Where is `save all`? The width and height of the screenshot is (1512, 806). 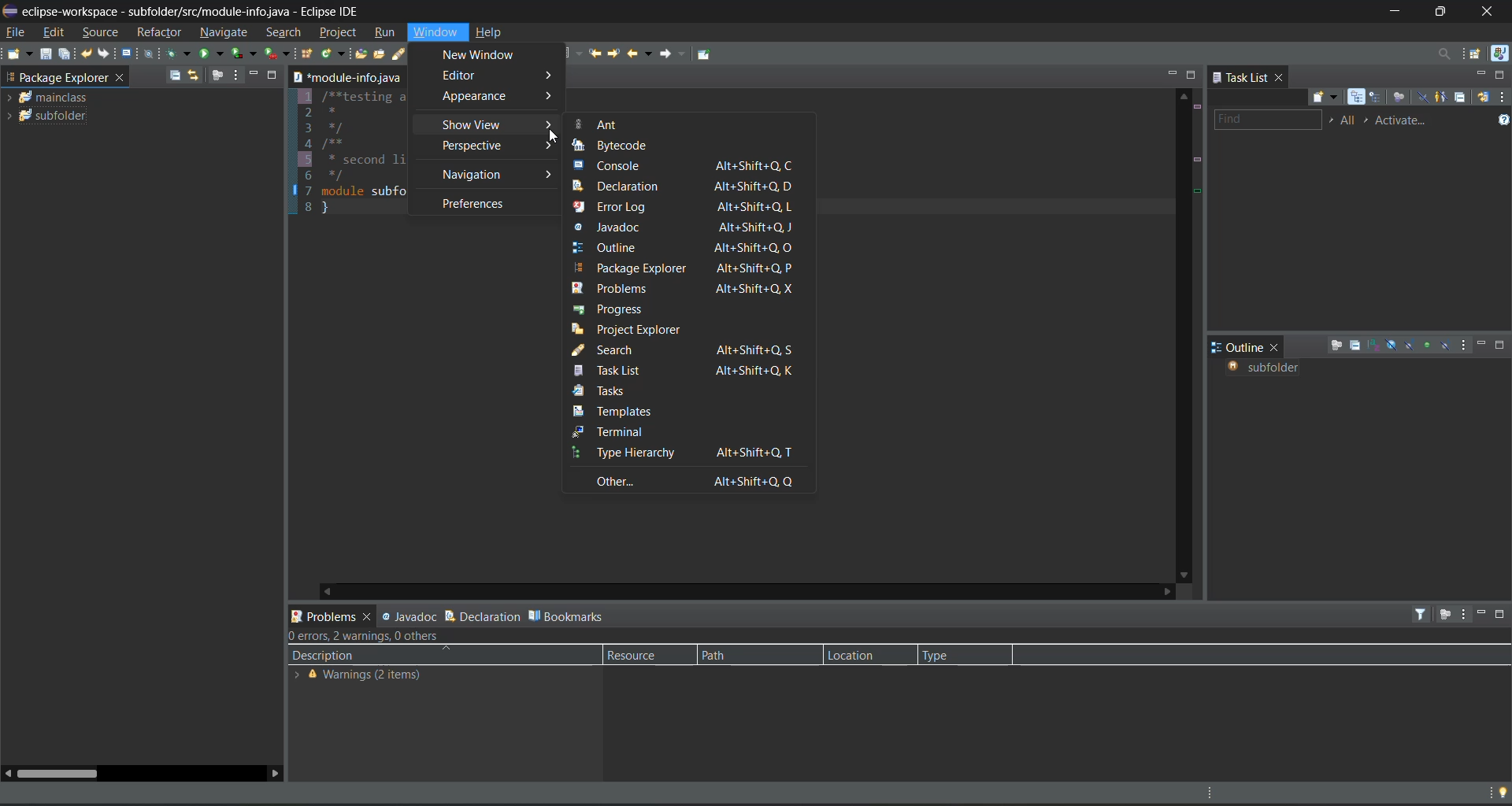 save all is located at coordinates (64, 53).